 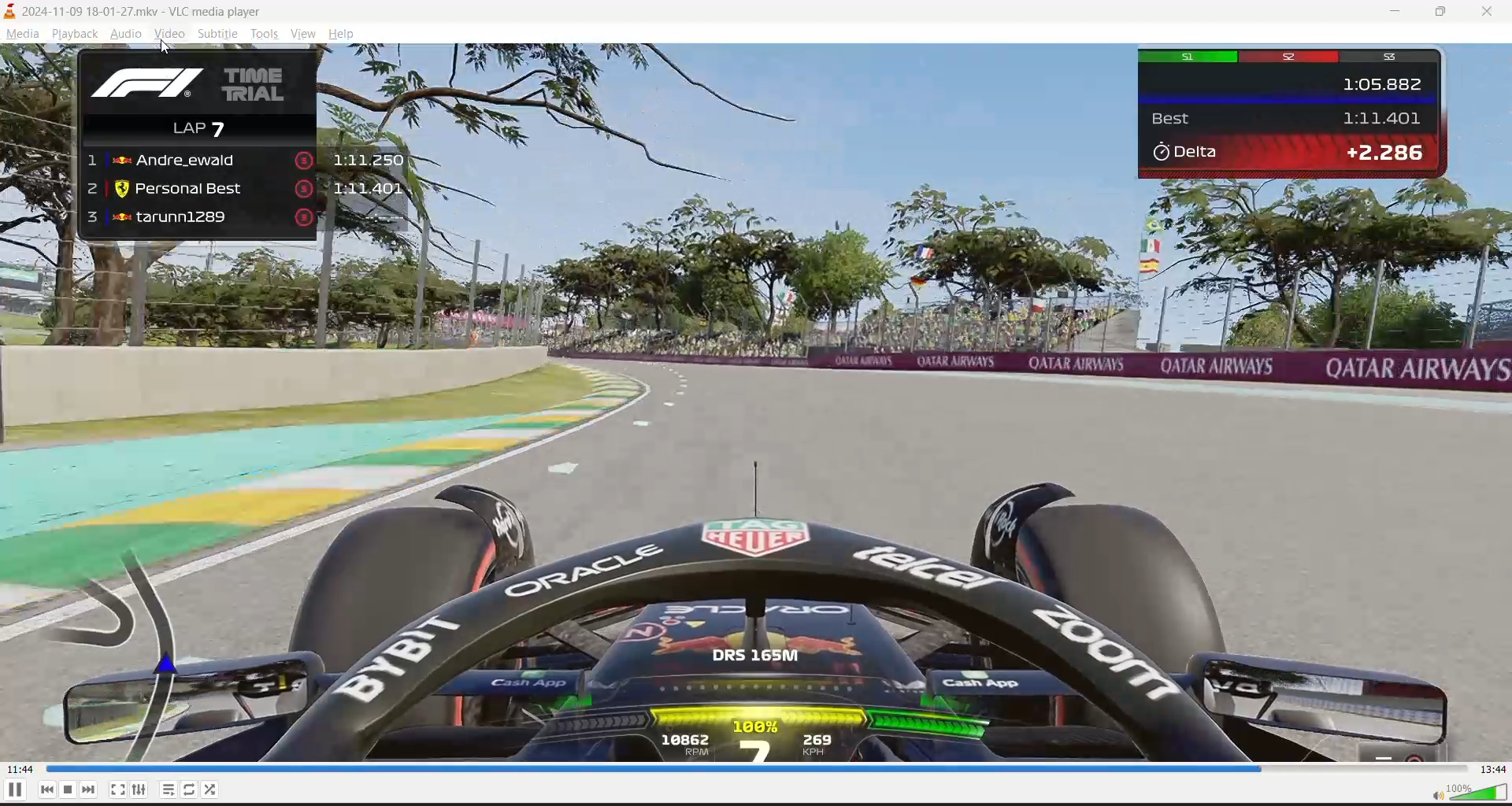 I want to click on playlists, so click(x=169, y=788).